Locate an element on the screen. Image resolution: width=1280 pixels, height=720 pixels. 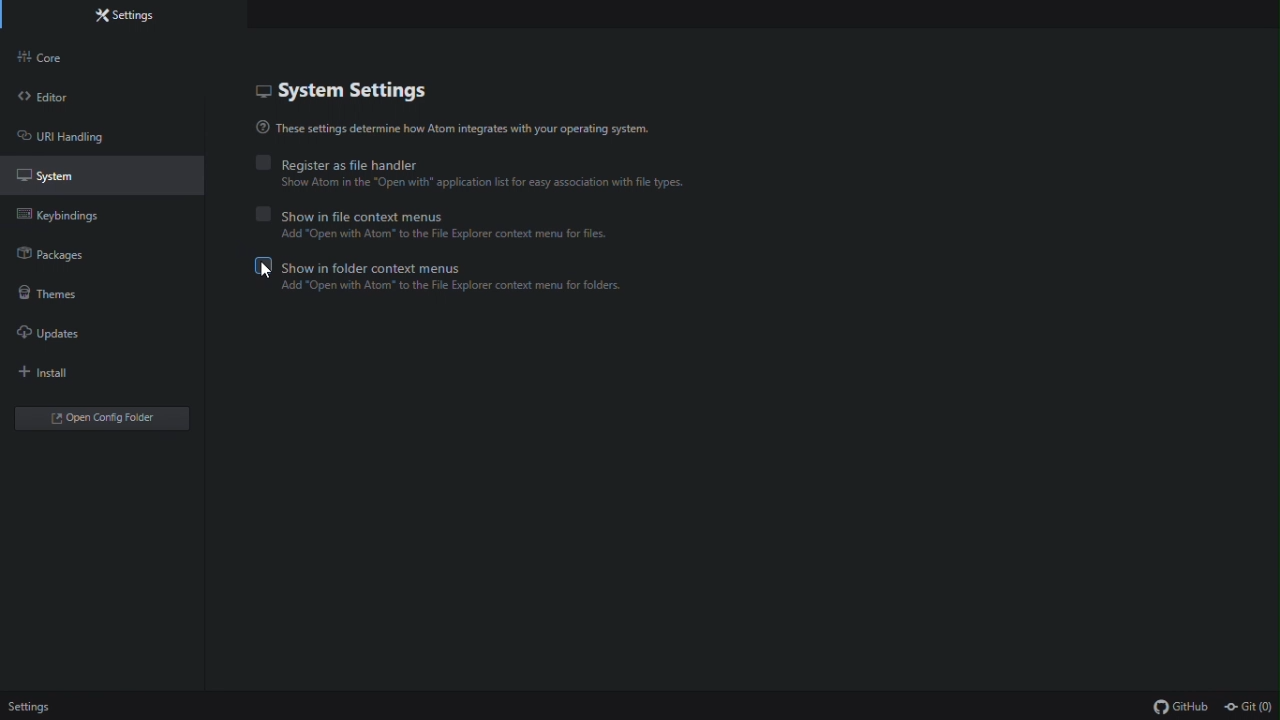
Packages is located at coordinates (110, 255).